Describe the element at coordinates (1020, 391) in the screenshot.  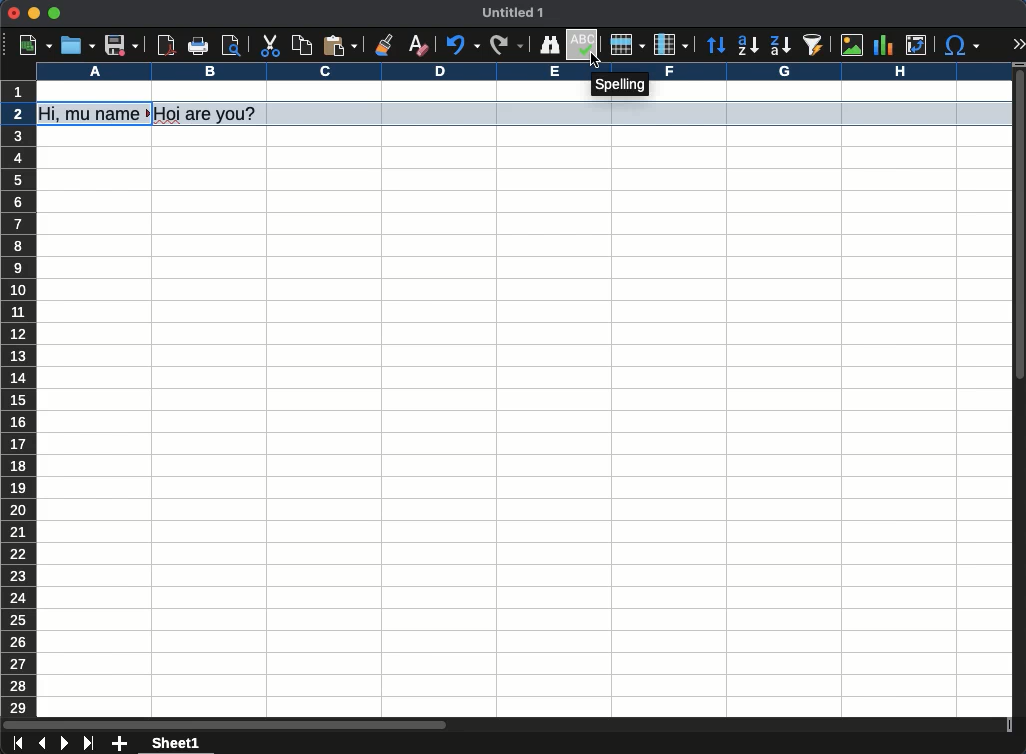
I see `scroll` at that location.